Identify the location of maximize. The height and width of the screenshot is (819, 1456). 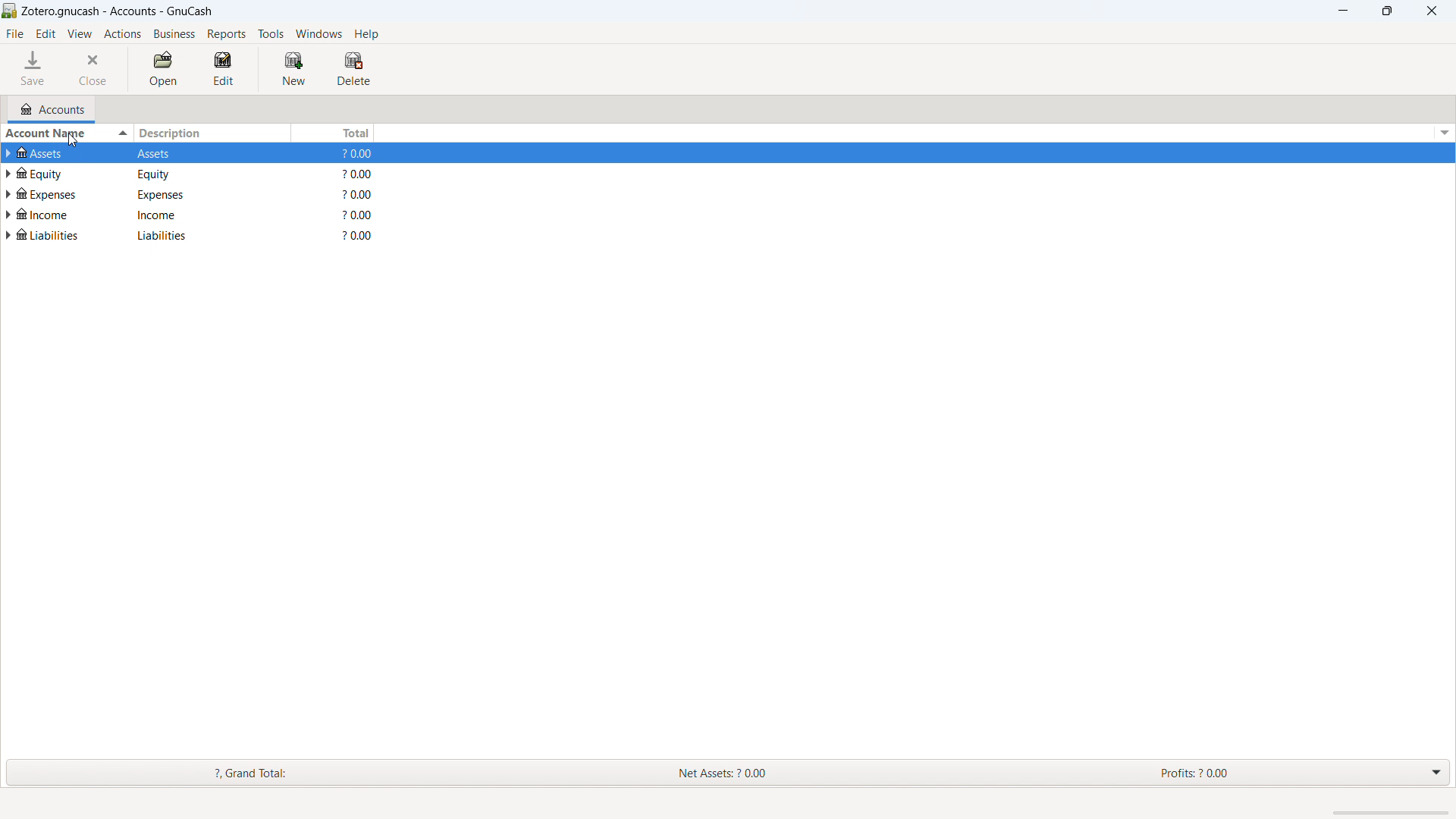
(1386, 11).